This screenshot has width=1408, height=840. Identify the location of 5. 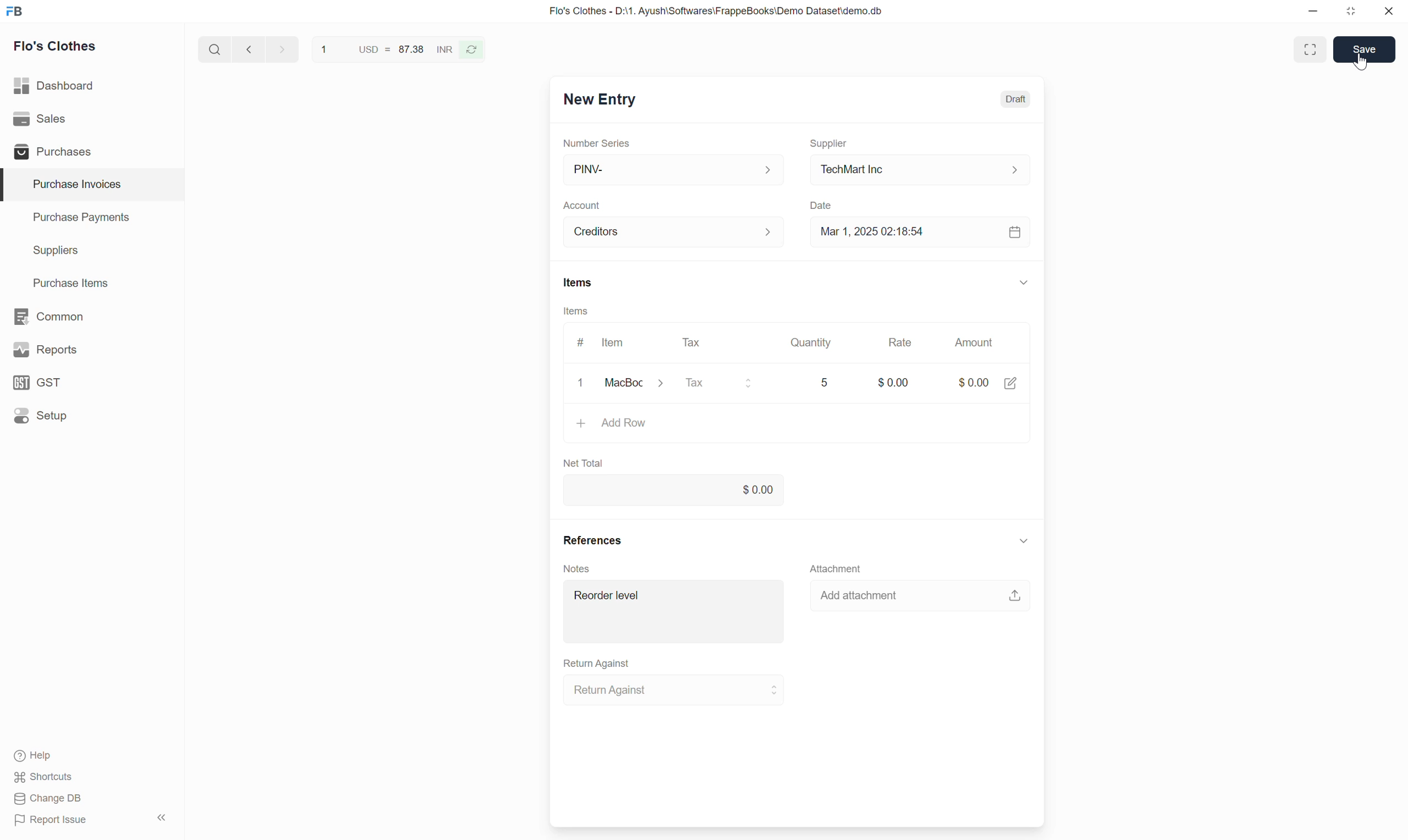
(828, 383).